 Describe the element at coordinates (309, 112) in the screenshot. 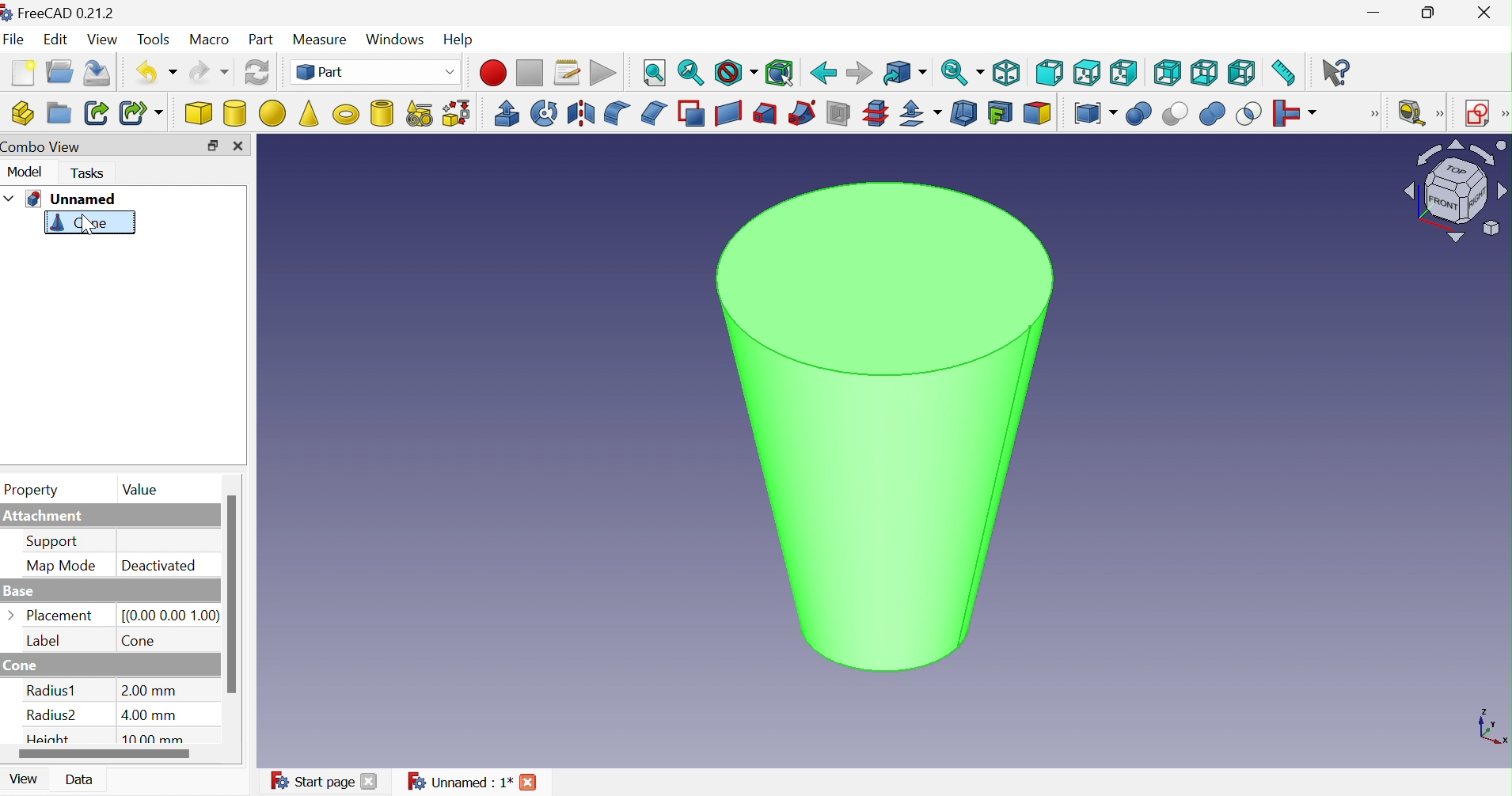

I see `Cone` at that location.